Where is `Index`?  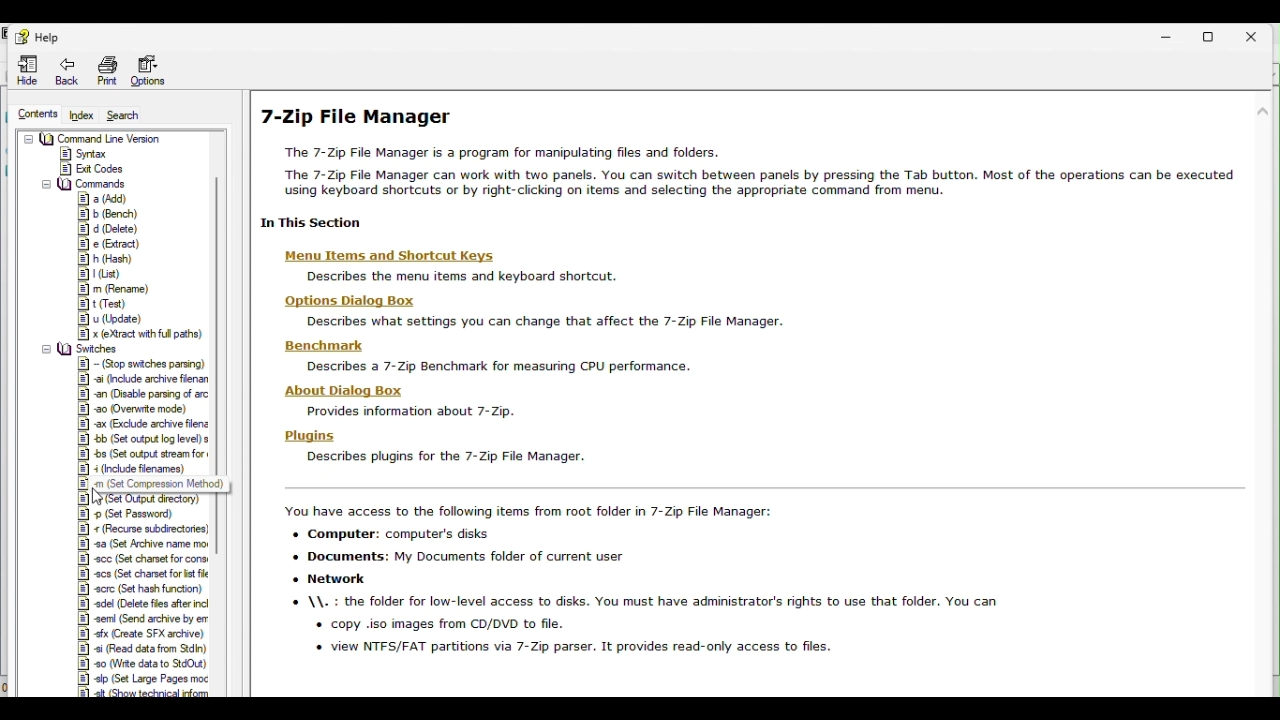 Index is located at coordinates (84, 116).